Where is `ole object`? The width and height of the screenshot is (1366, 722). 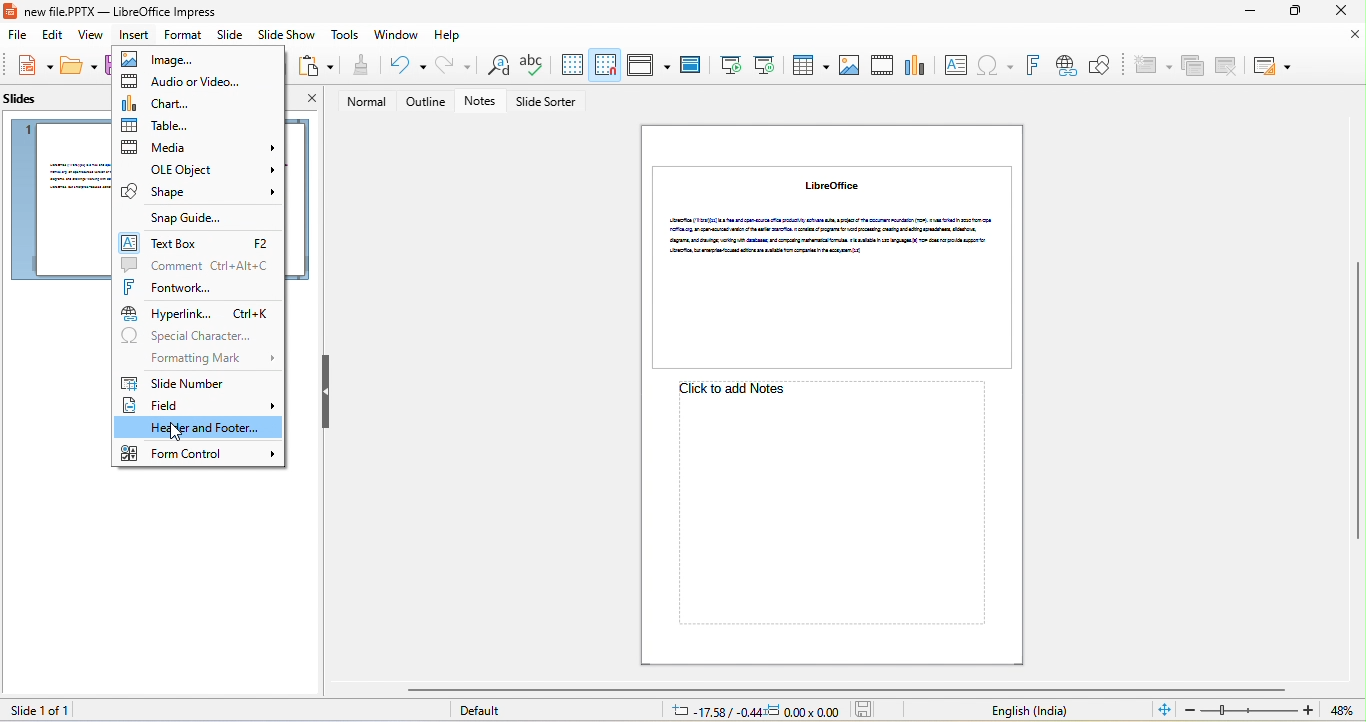 ole object is located at coordinates (199, 168).